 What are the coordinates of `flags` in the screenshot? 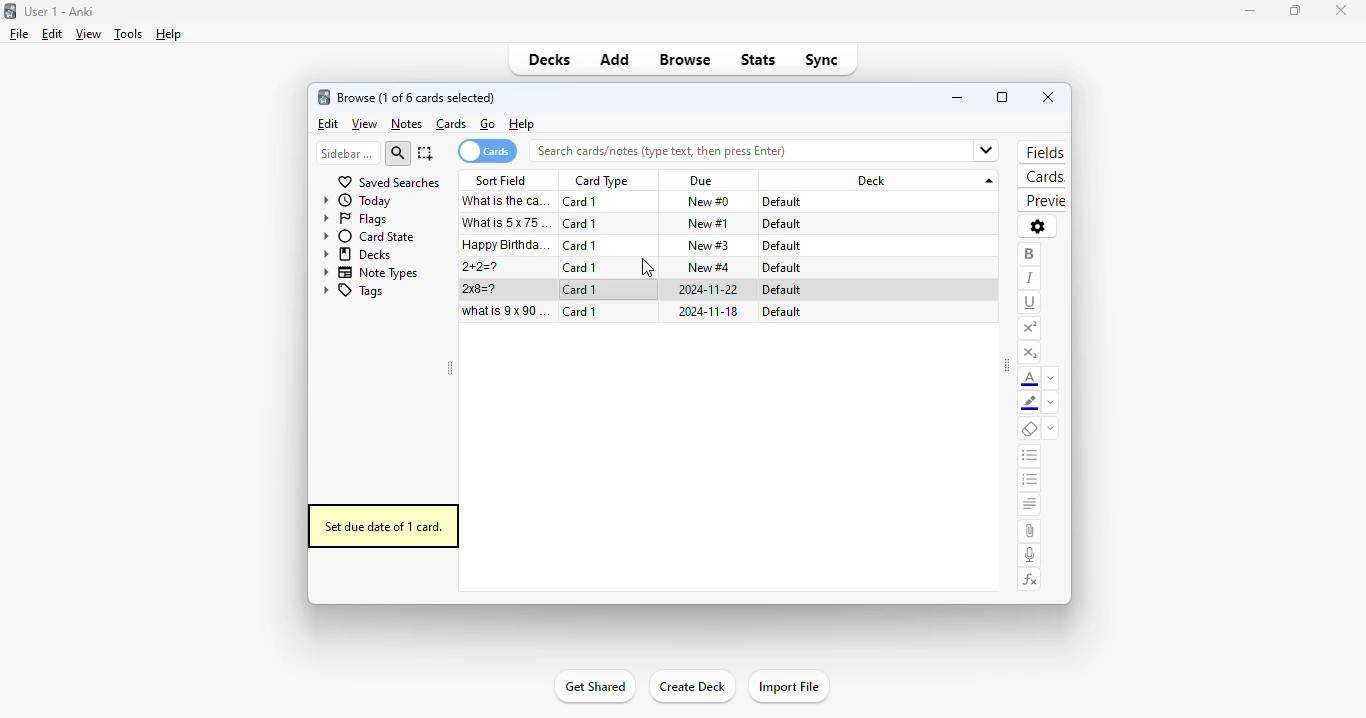 It's located at (355, 220).